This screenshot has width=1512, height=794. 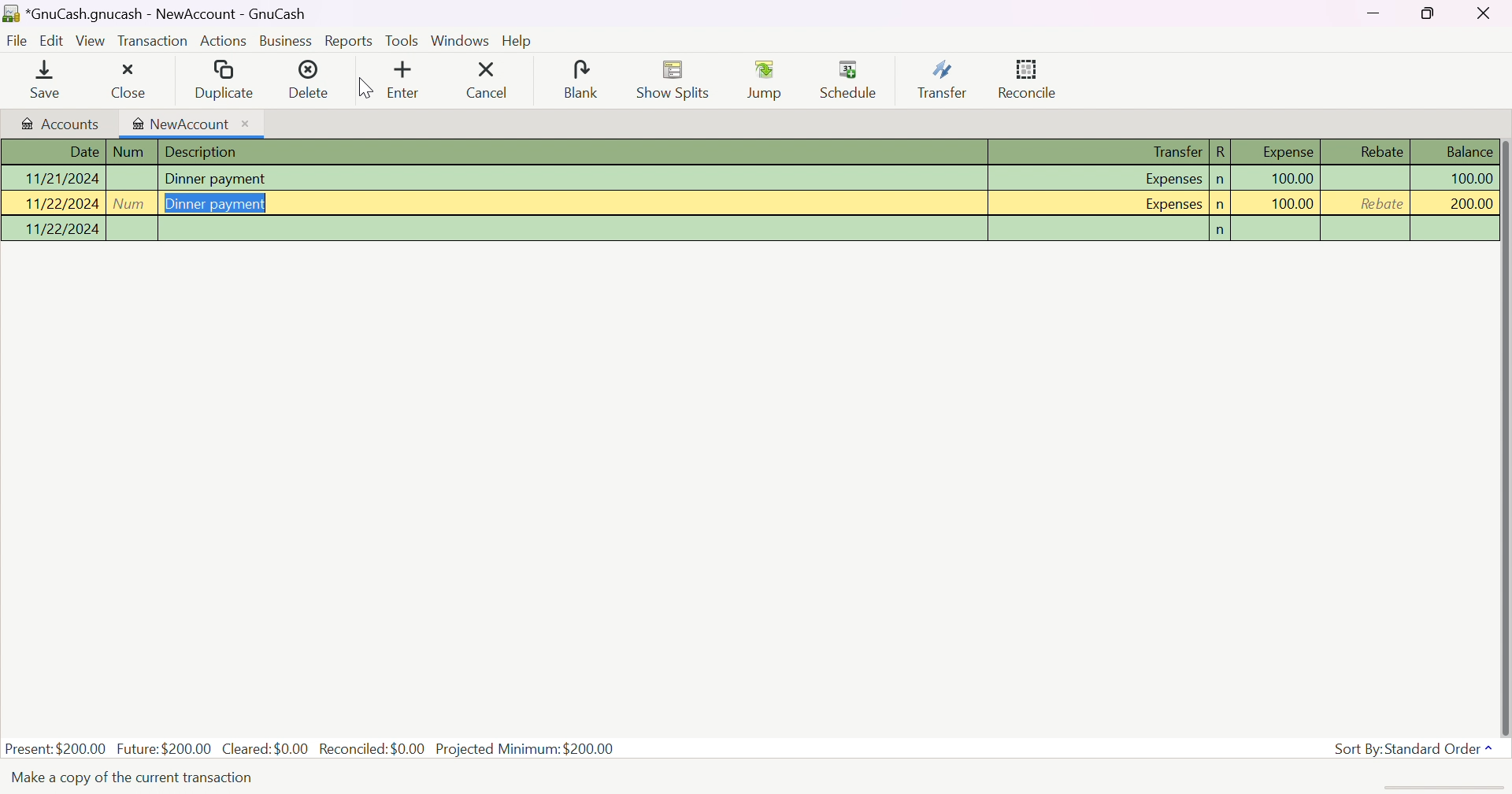 What do you see at coordinates (268, 748) in the screenshot?
I see `Cleared: $0.00` at bounding box center [268, 748].